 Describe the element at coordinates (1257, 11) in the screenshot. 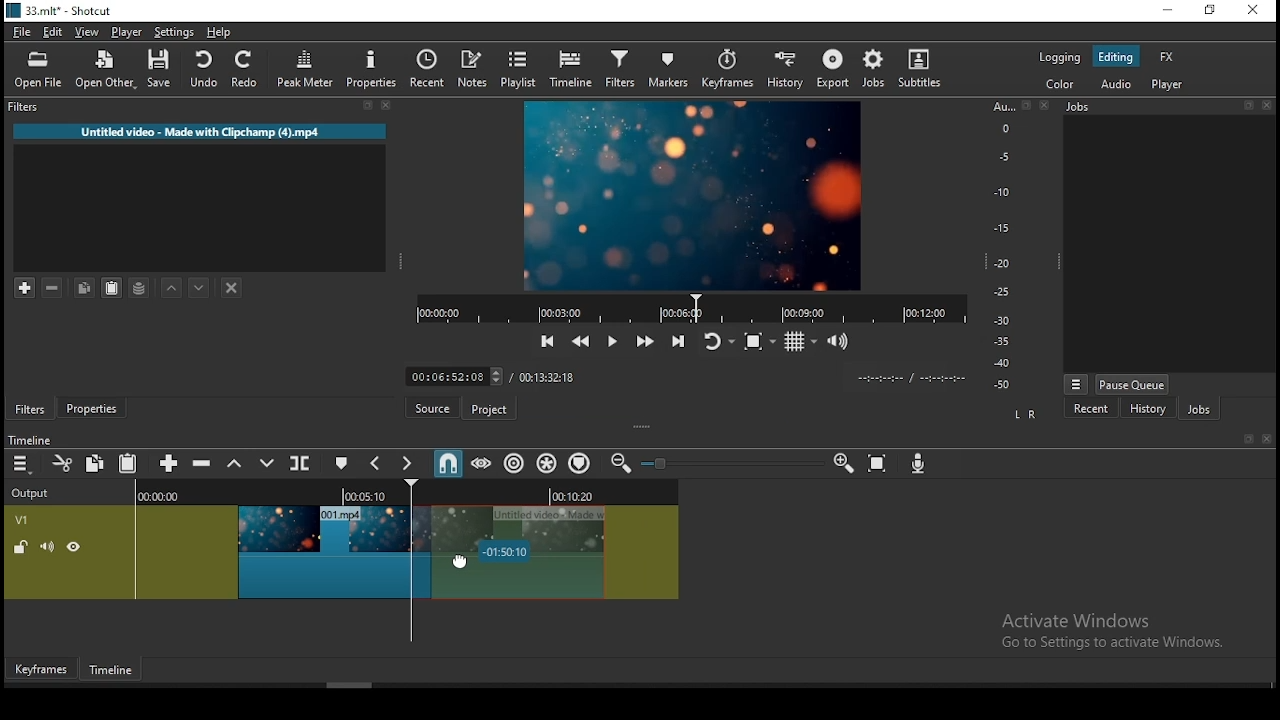

I see `close` at that location.